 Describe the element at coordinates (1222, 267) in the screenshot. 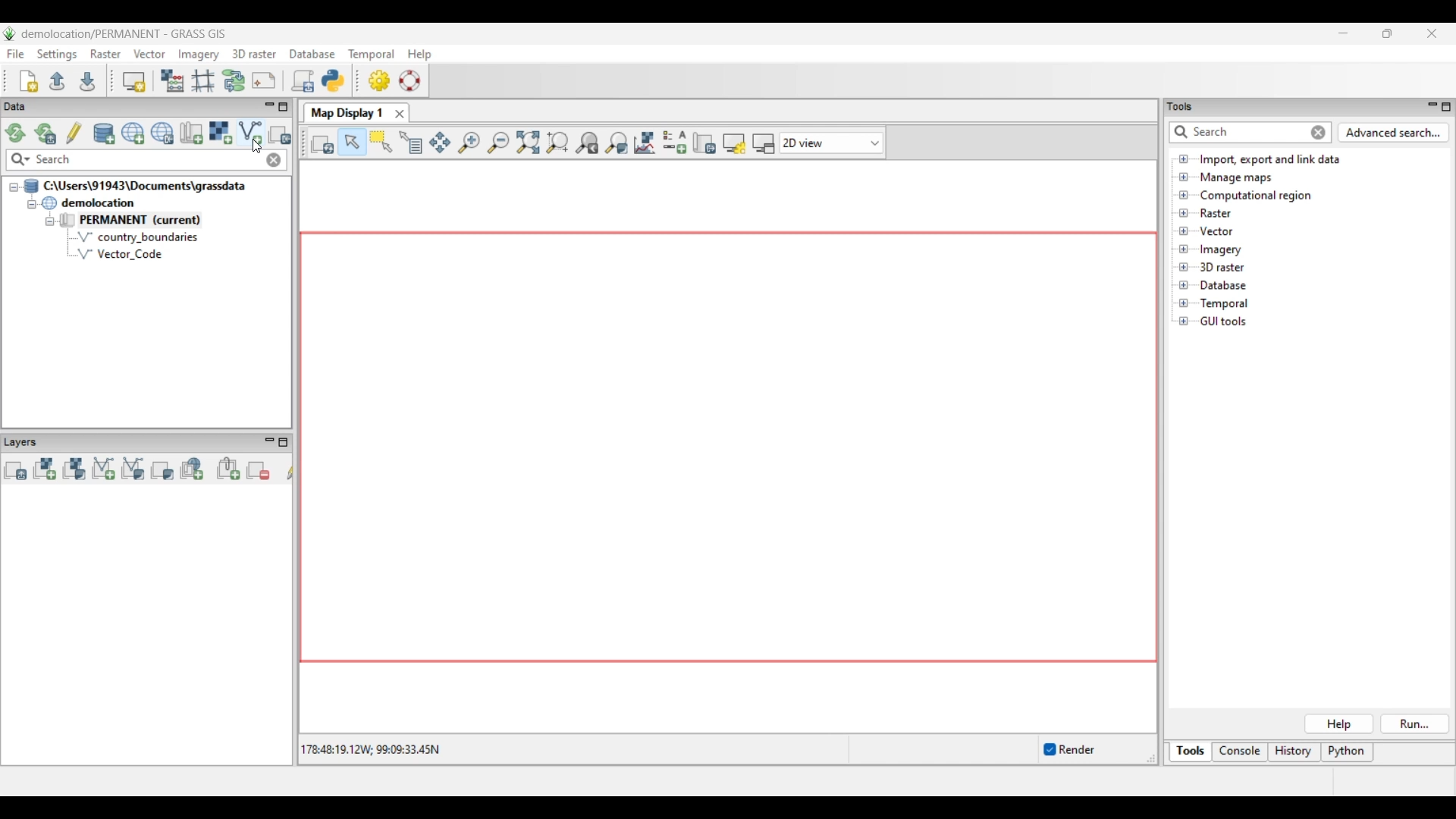

I see `Double click to see files under 3D raster` at that location.